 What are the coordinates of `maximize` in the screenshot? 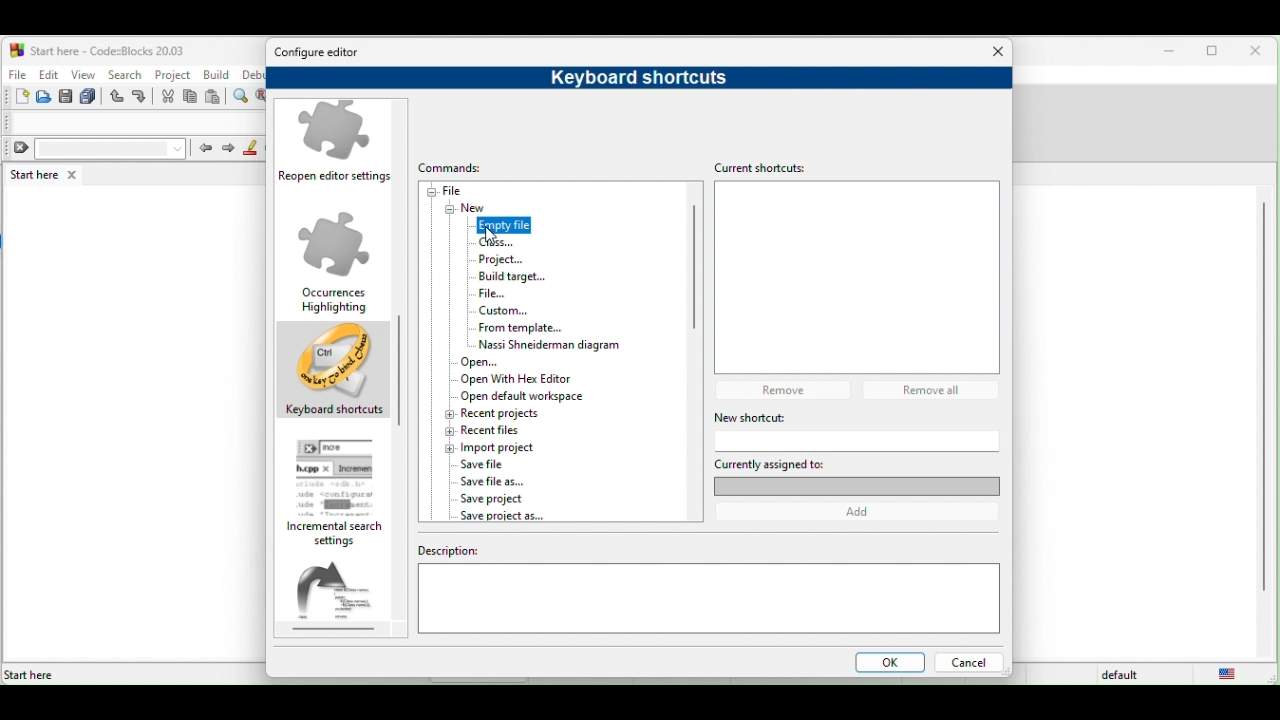 It's located at (1216, 53).